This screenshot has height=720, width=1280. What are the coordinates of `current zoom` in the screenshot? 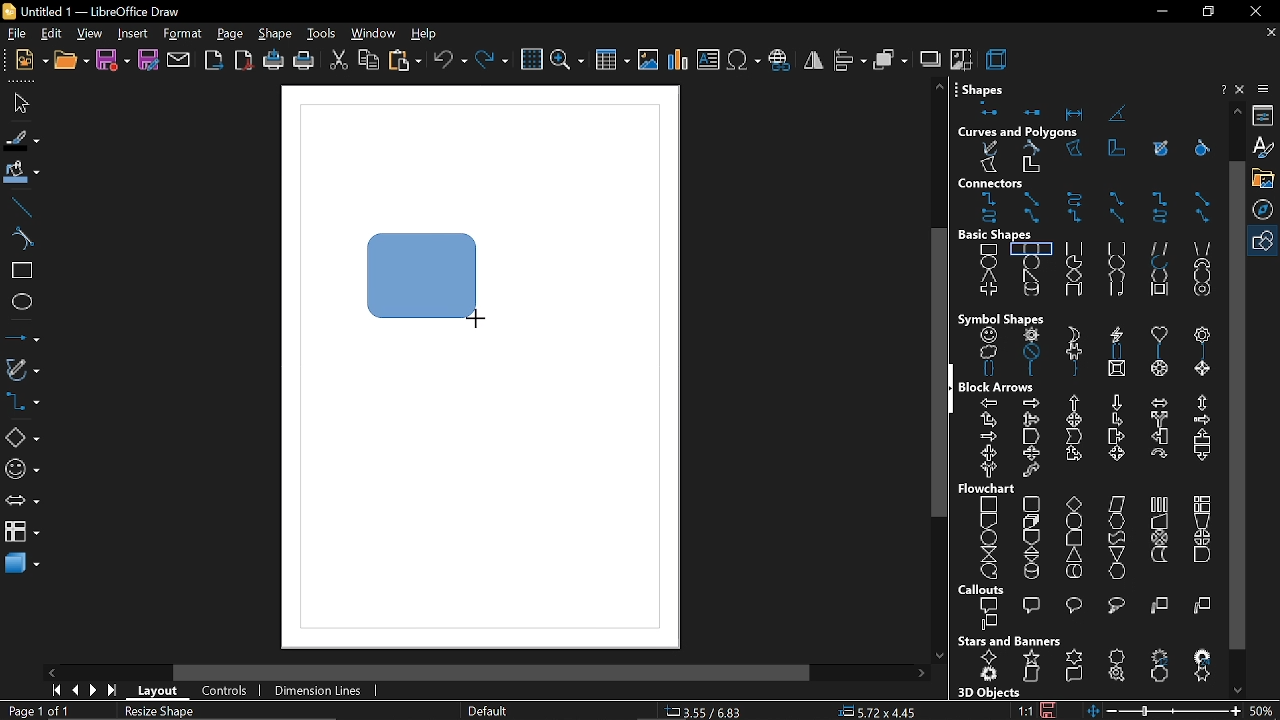 It's located at (1263, 710).